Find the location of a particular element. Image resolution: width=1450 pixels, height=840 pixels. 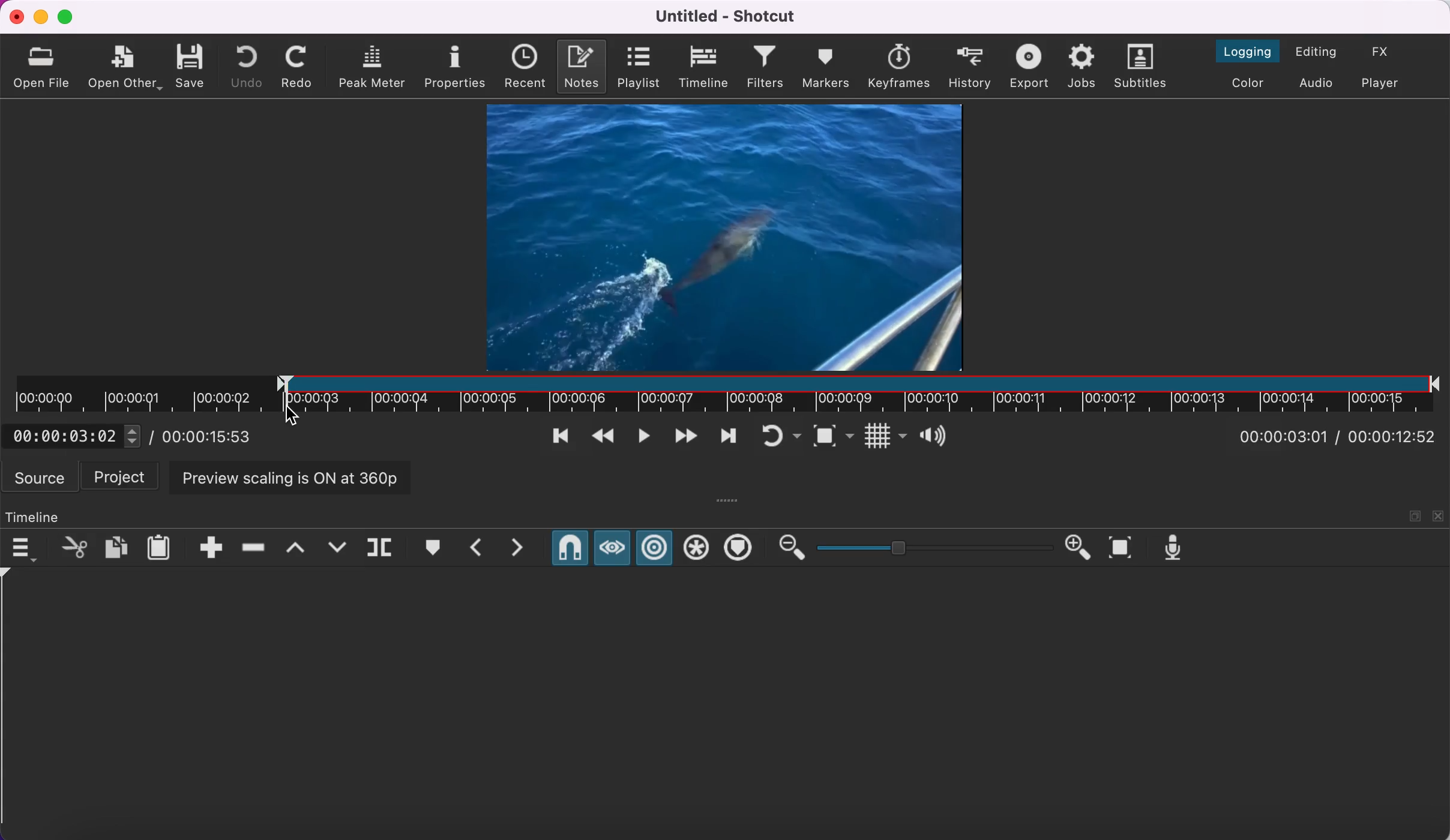

play quickly backwards is located at coordinates (602, 438).